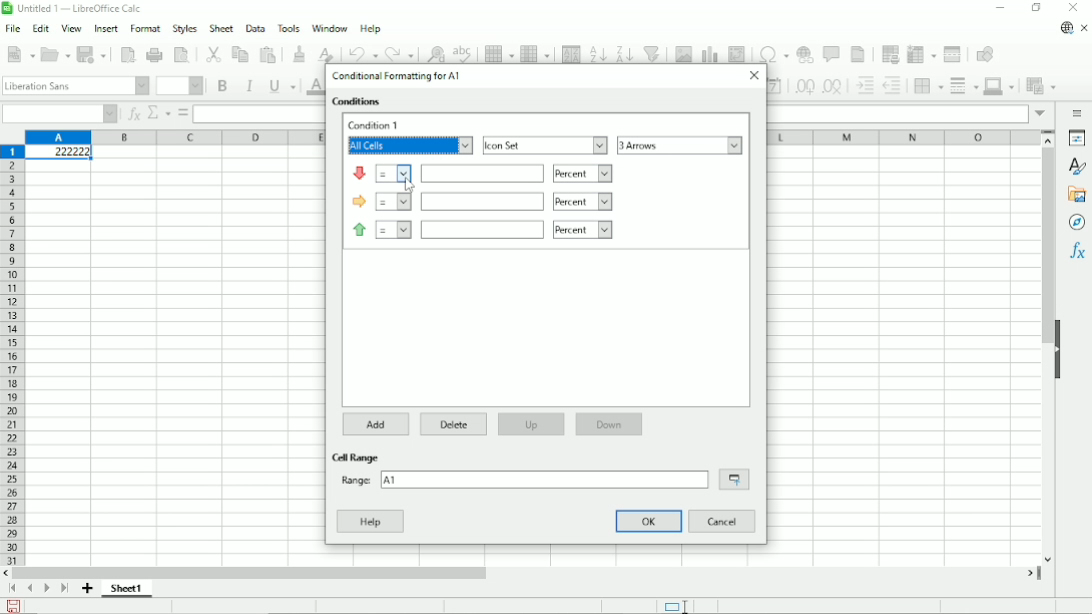  Describe the element at coordinates (396, 76) in the screenshot. I see `Conditional formatting for A1` at that location.